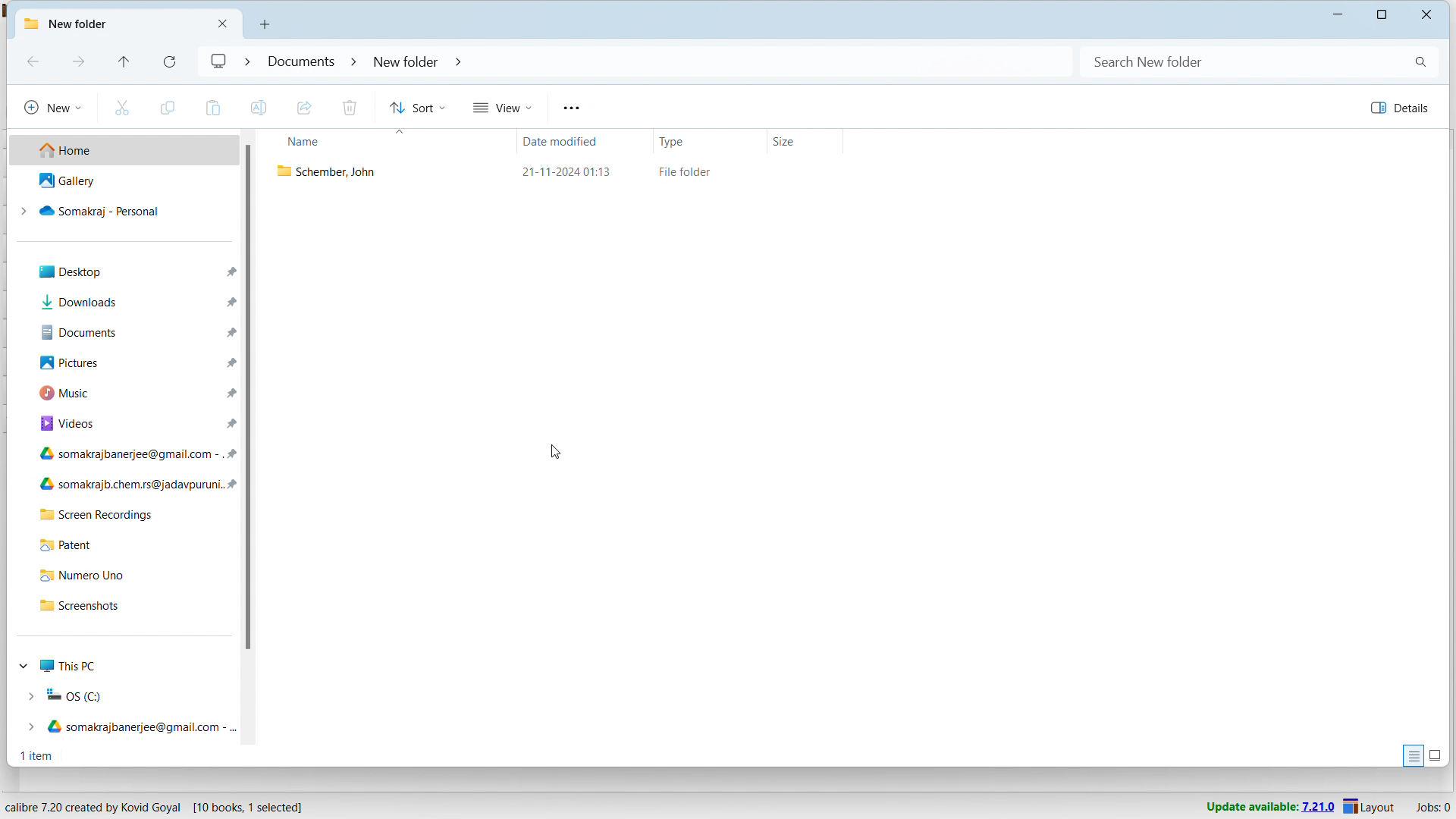 This screenshot has height=819, width=1456. I want to click on details pane, so click(1400, 108).